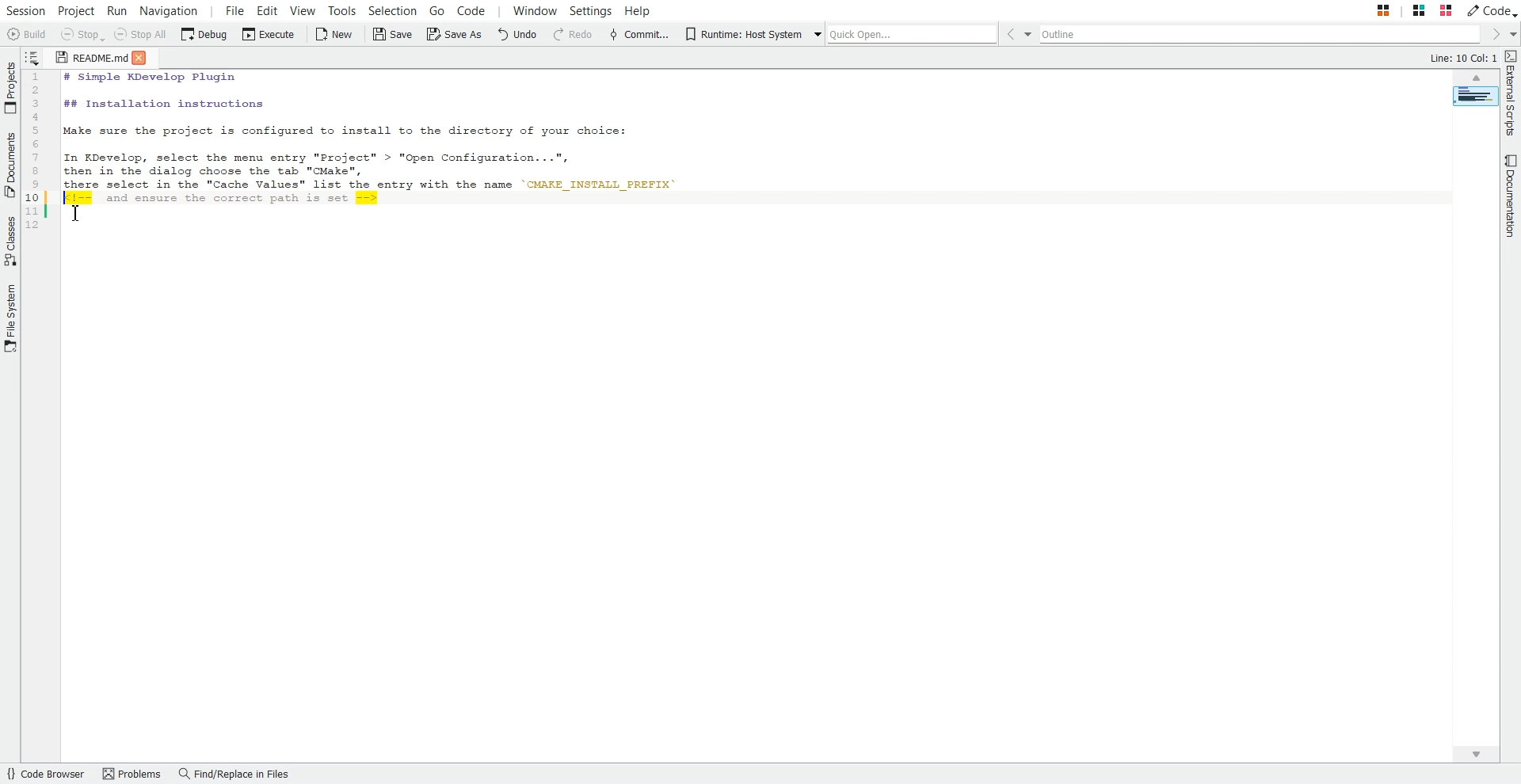 The width and height of the screenshot is (1521, 784). What do you see at coordinates (203, 35) in the screenshot?
I see `Debug` at bounding box center [203, 35].